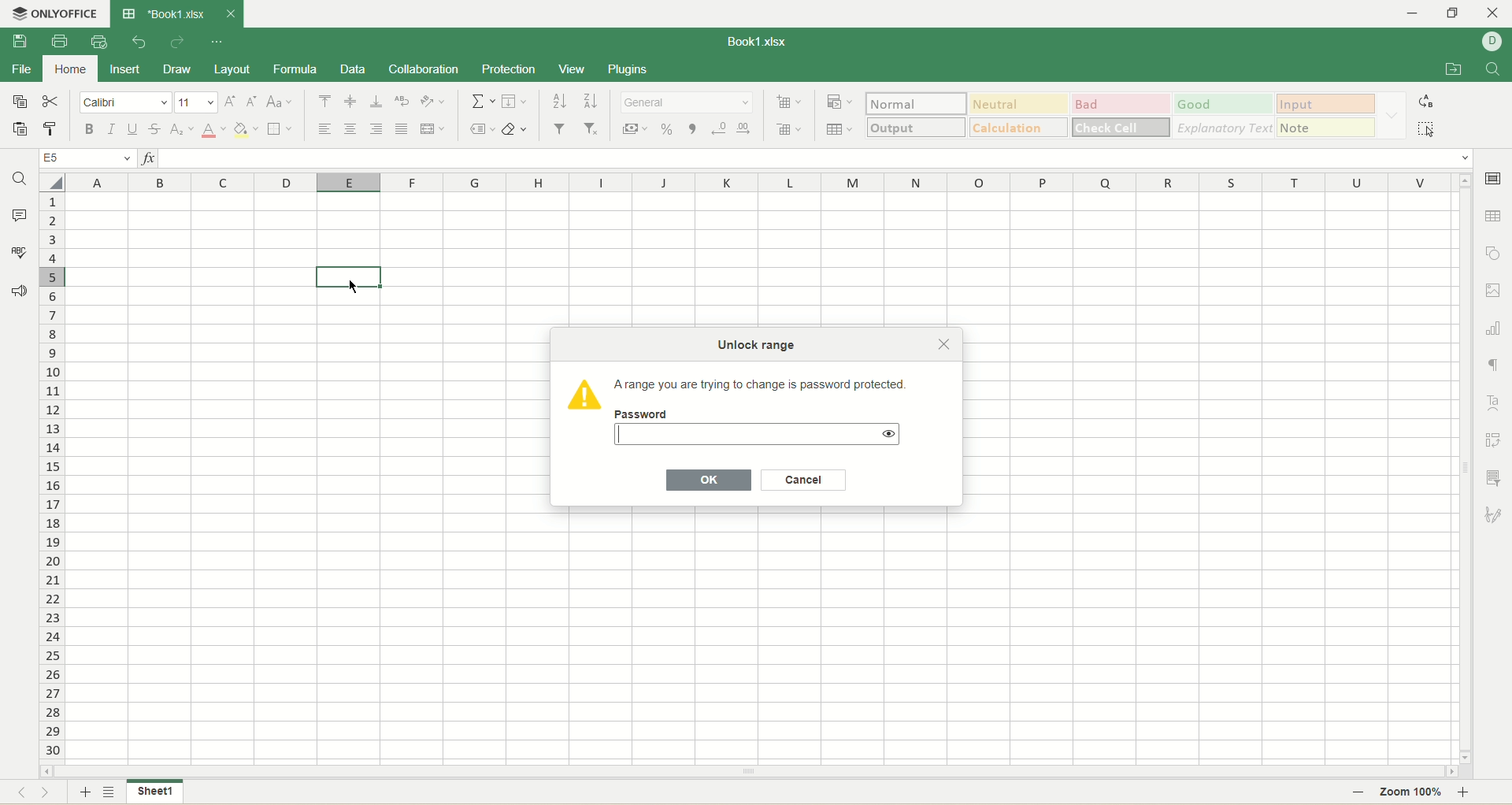 This screenshot has height=805, width=1512. What do you see at coordinates (764, 43) in the screenshot?
I see `book1.xlsx` at bounding box center [764, 43].